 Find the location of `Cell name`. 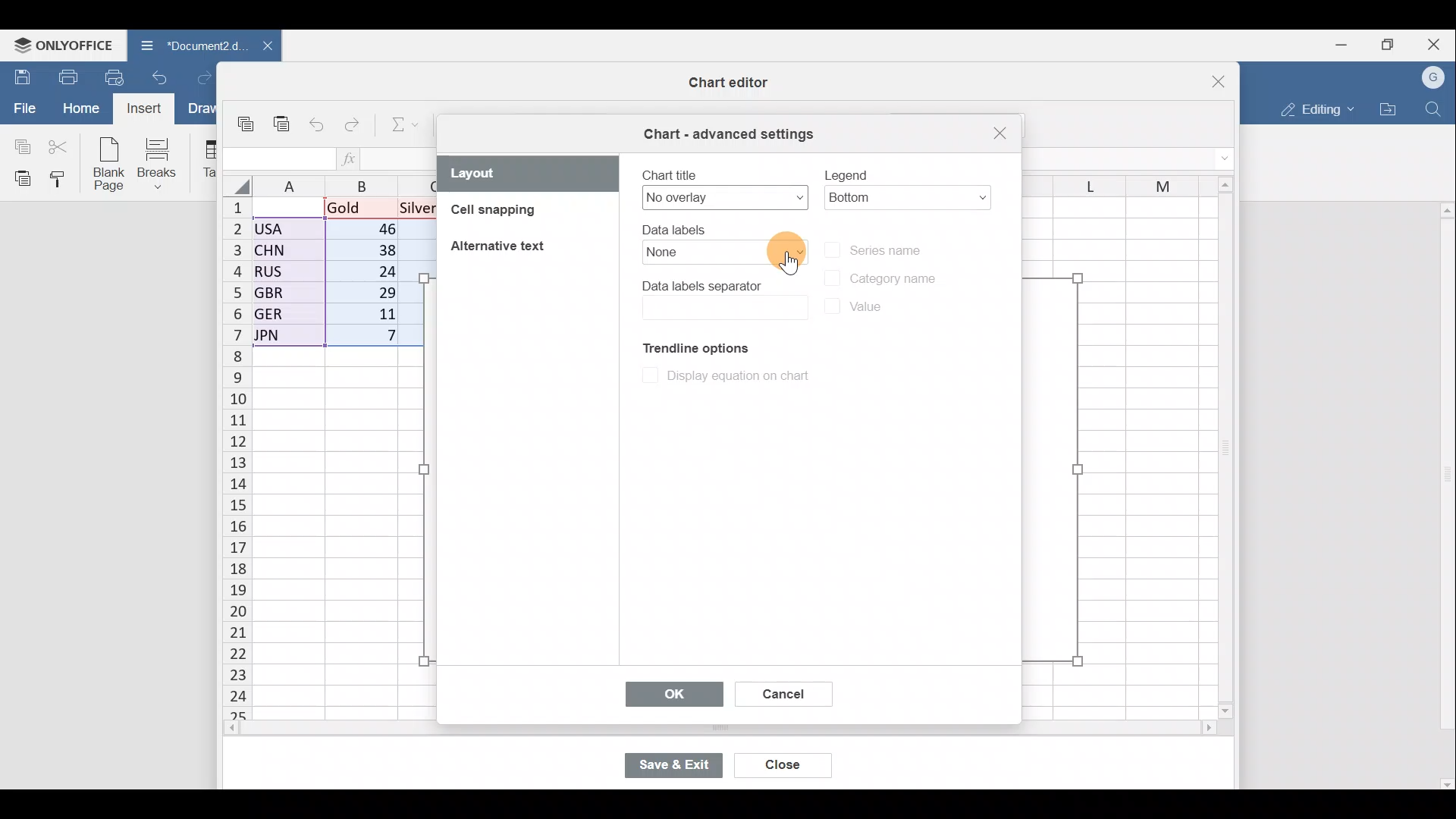

Cell name is located at coordinates (281, 159).